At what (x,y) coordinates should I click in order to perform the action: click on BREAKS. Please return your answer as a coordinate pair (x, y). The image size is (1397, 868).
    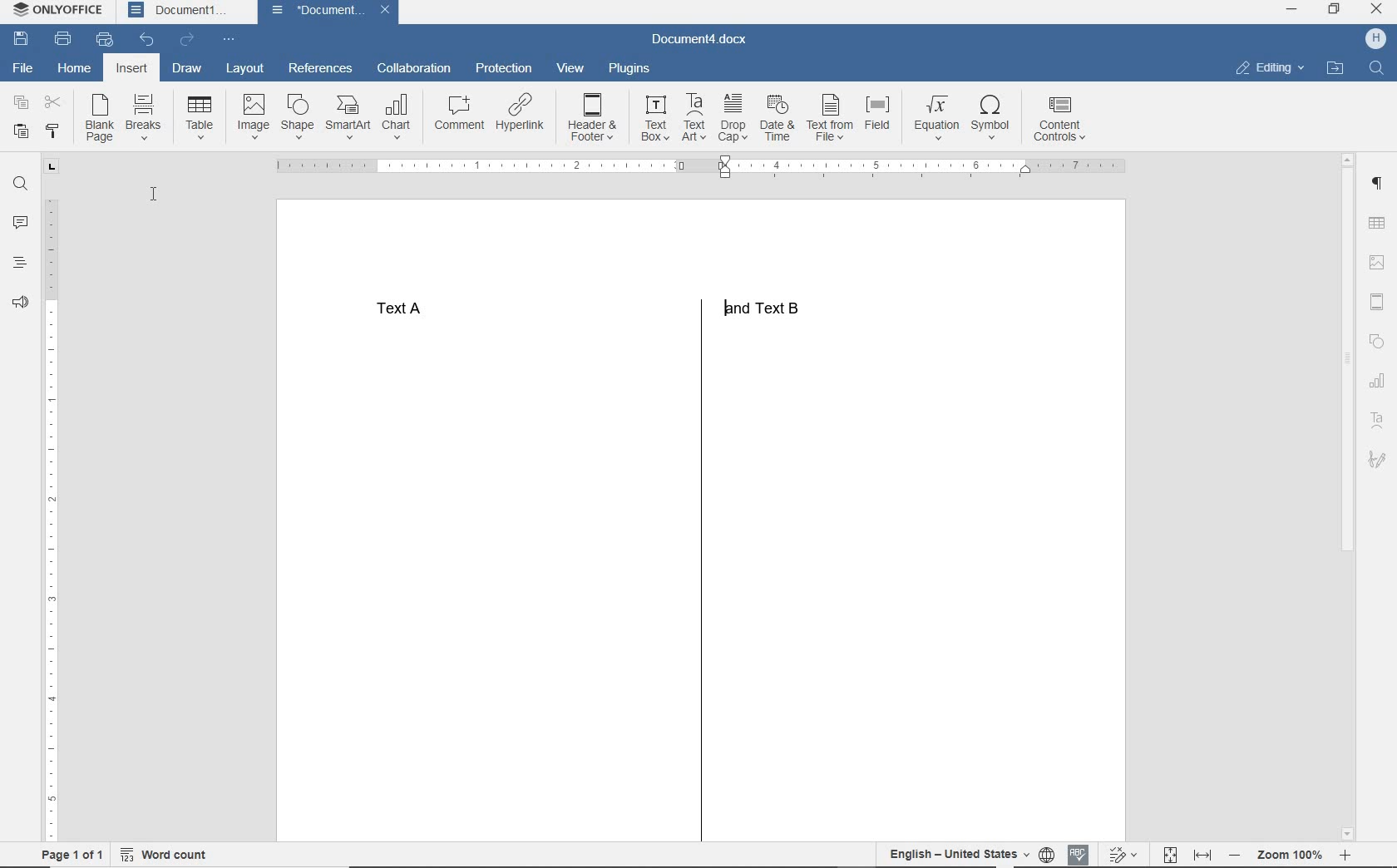
    Looking at the image, I should click on (146, 119).